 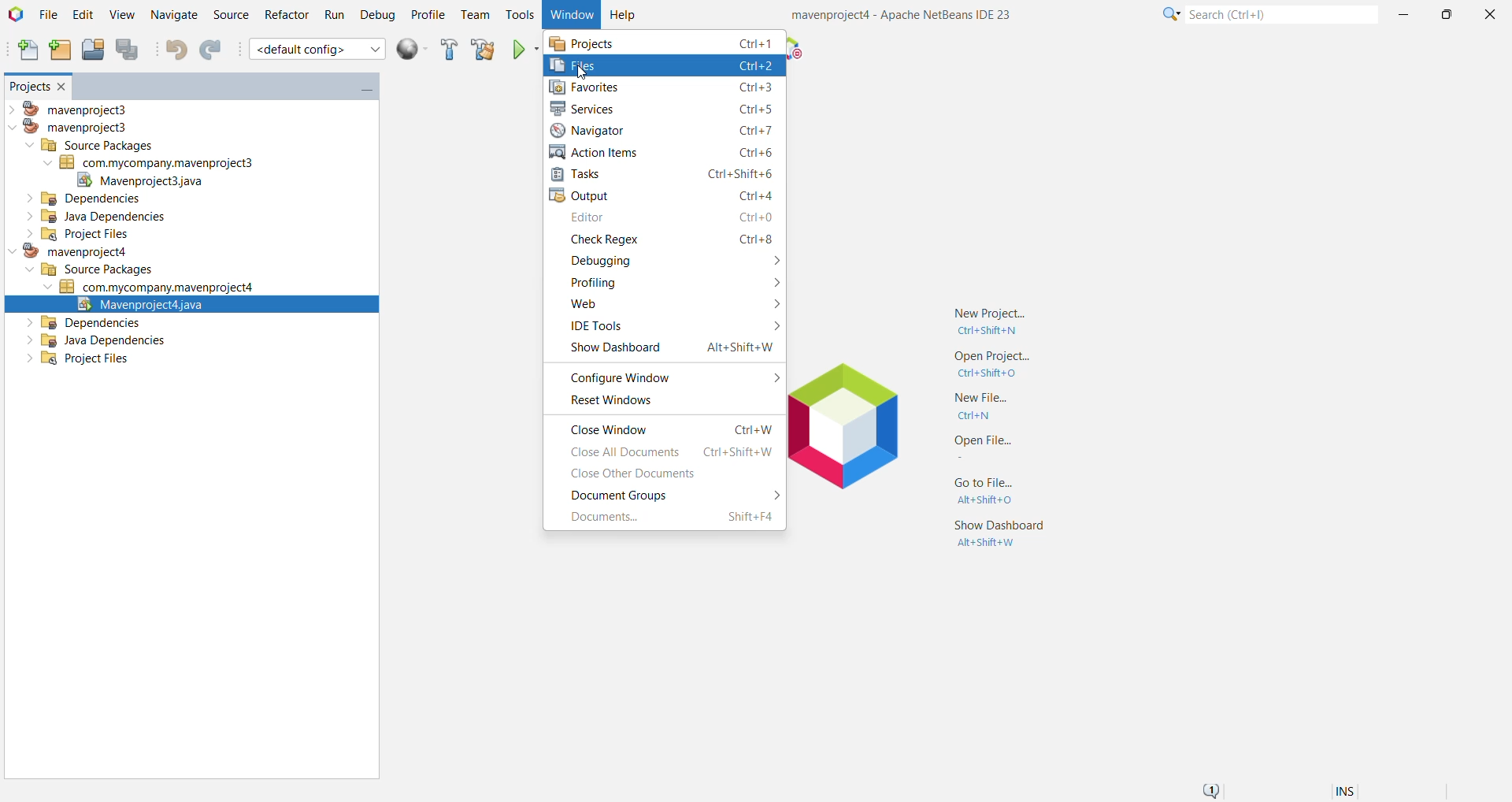 What do you see at coordinates (640, 473) in the screenshot?
I see `` at bounding box center [640, 473].